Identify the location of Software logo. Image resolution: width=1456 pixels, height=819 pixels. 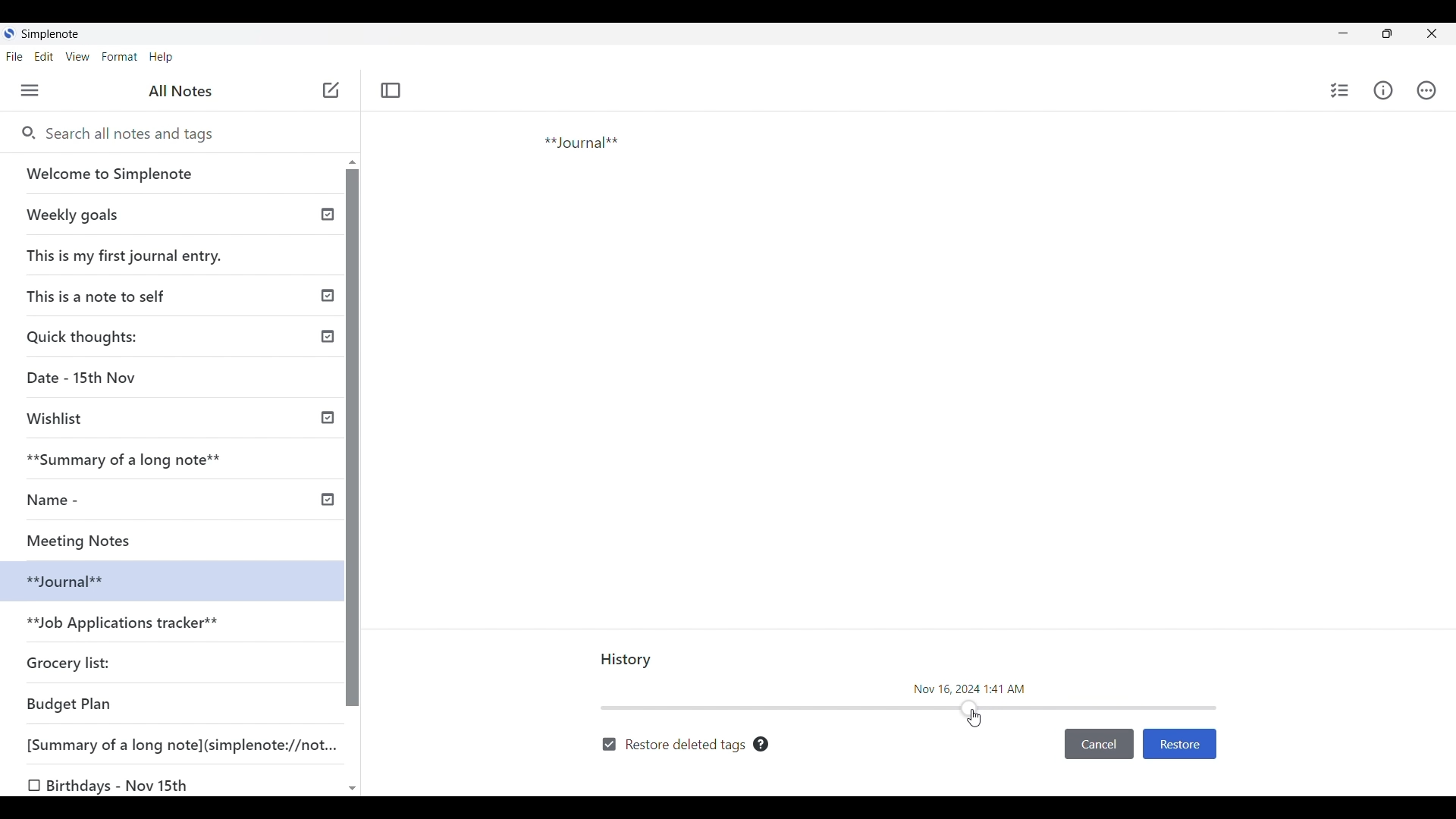
(9, 33).